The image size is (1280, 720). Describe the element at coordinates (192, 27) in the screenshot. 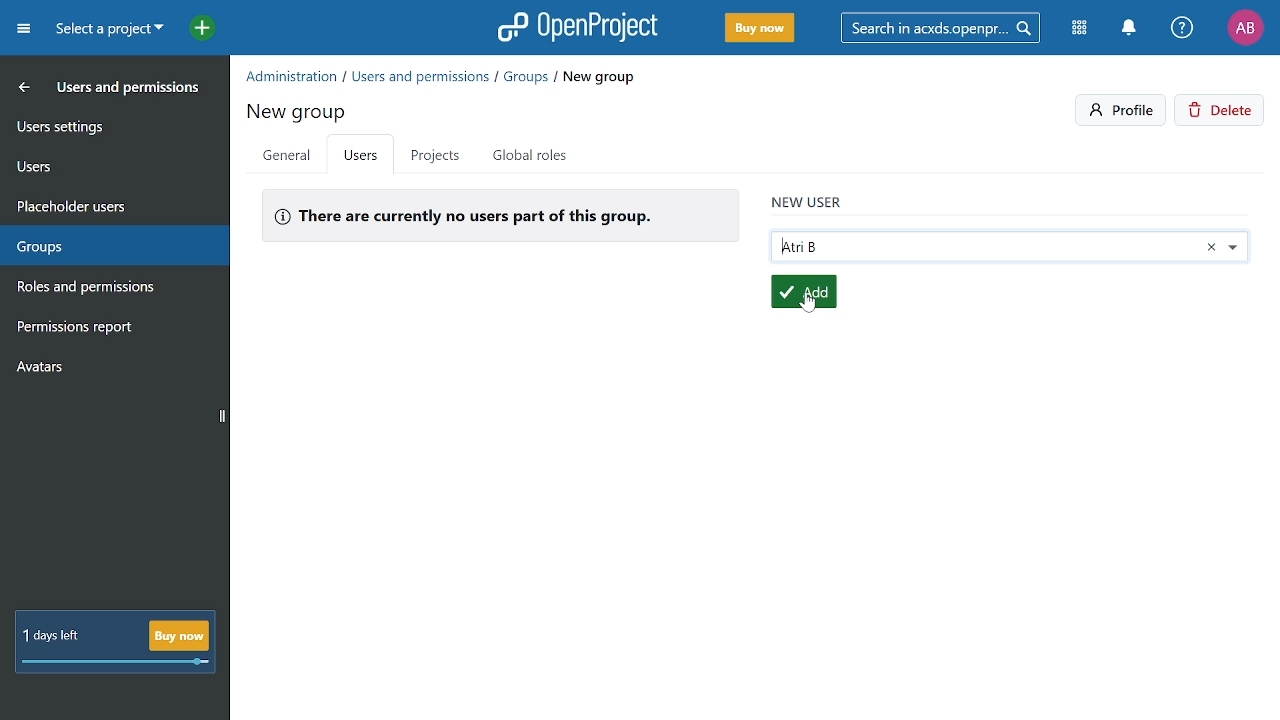

I see `Open quick add menu` at that location.